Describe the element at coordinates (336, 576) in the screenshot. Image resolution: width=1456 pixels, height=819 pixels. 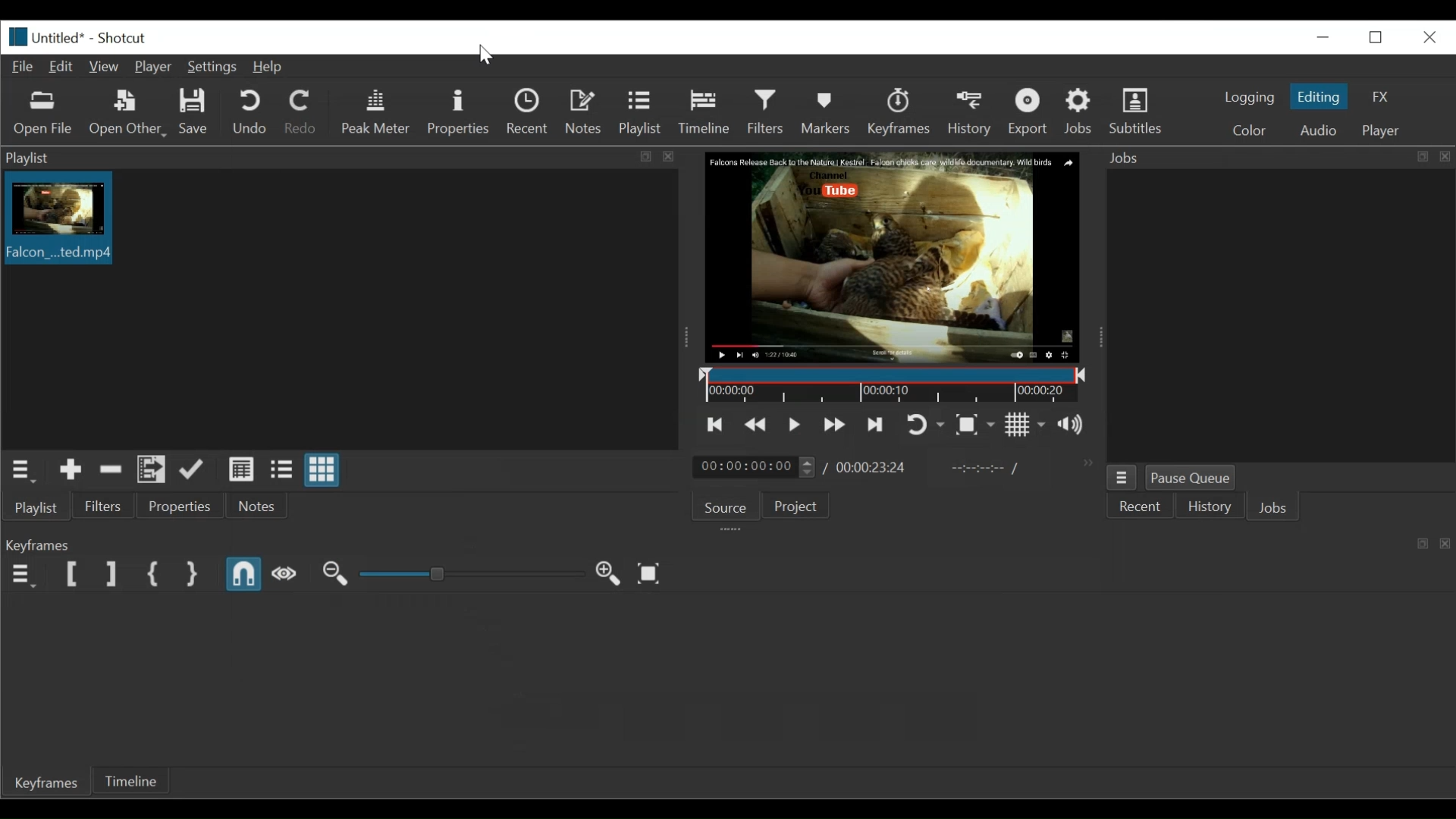
I see `Zoom keyframe out` at that location.